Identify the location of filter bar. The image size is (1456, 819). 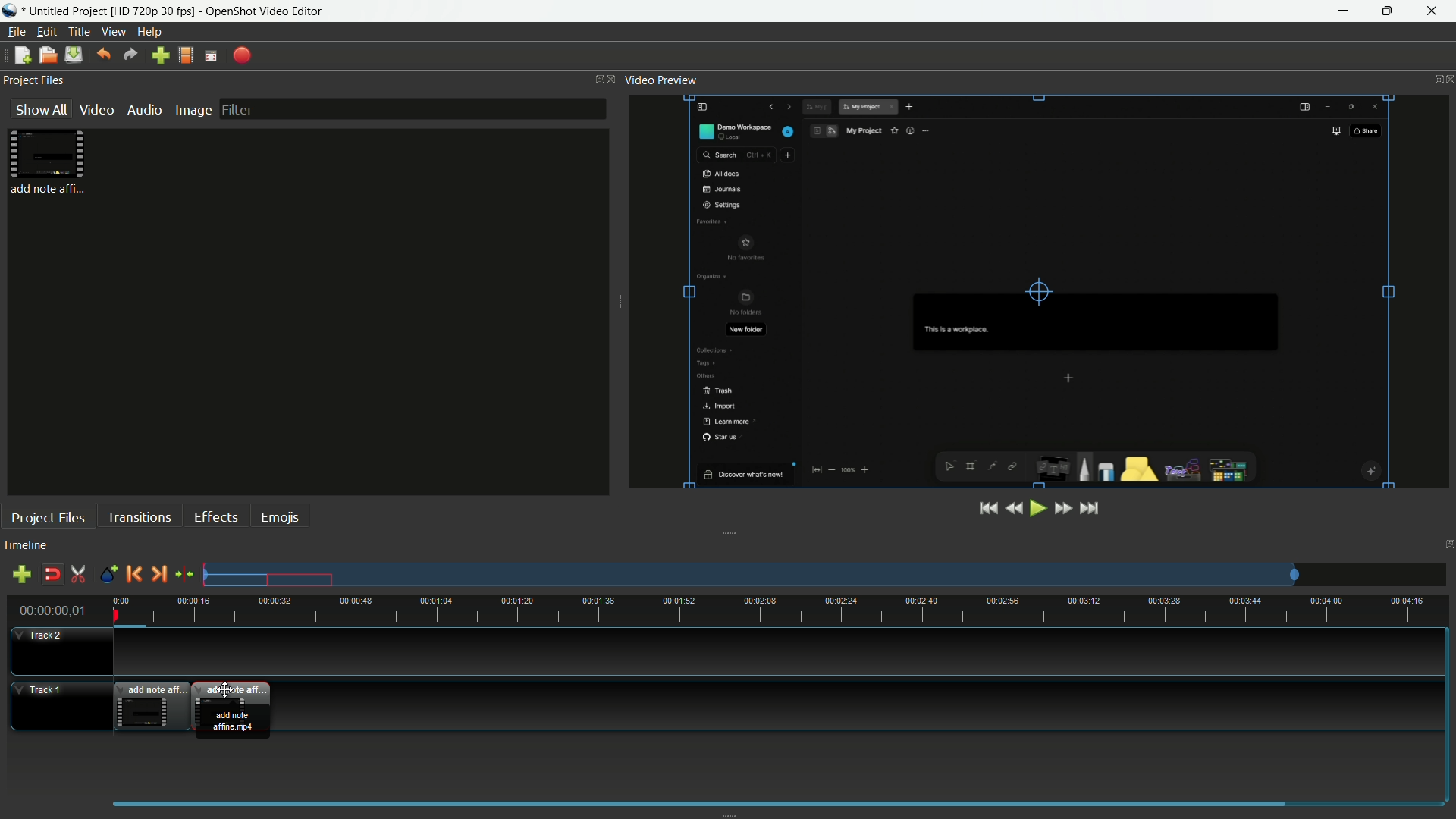
(412, 108).